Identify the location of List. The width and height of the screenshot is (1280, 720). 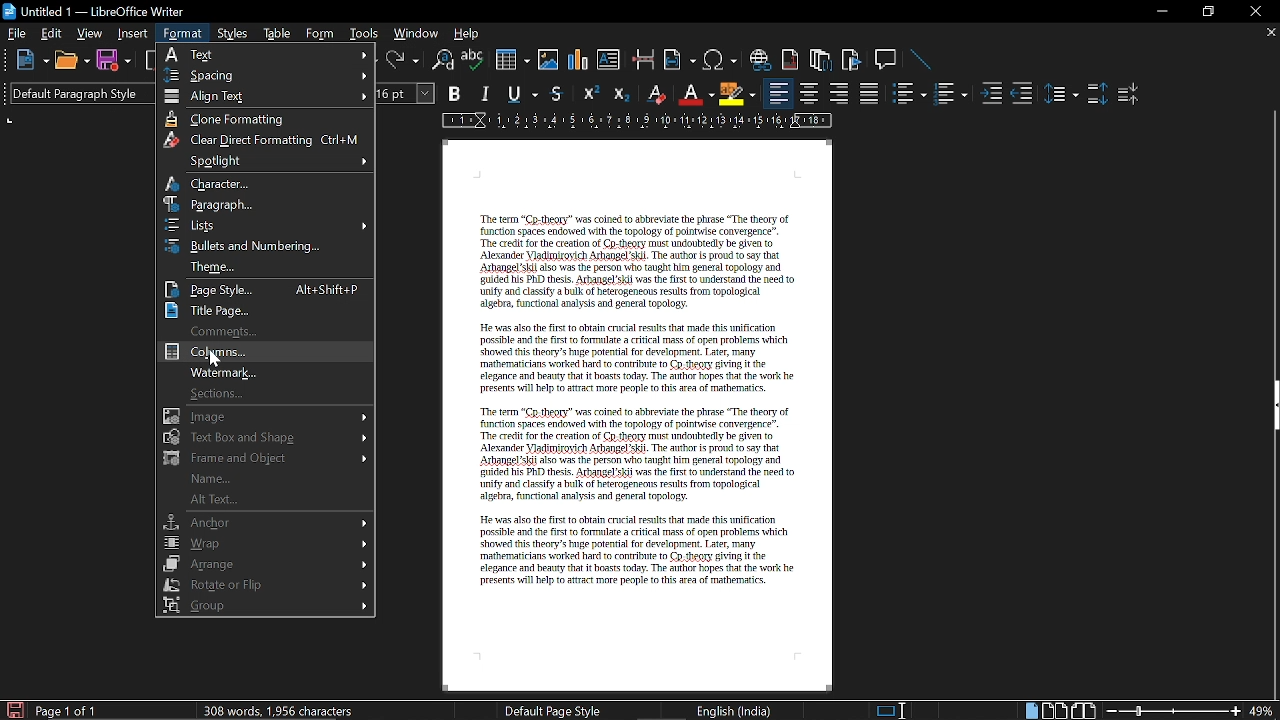
(269, 225).